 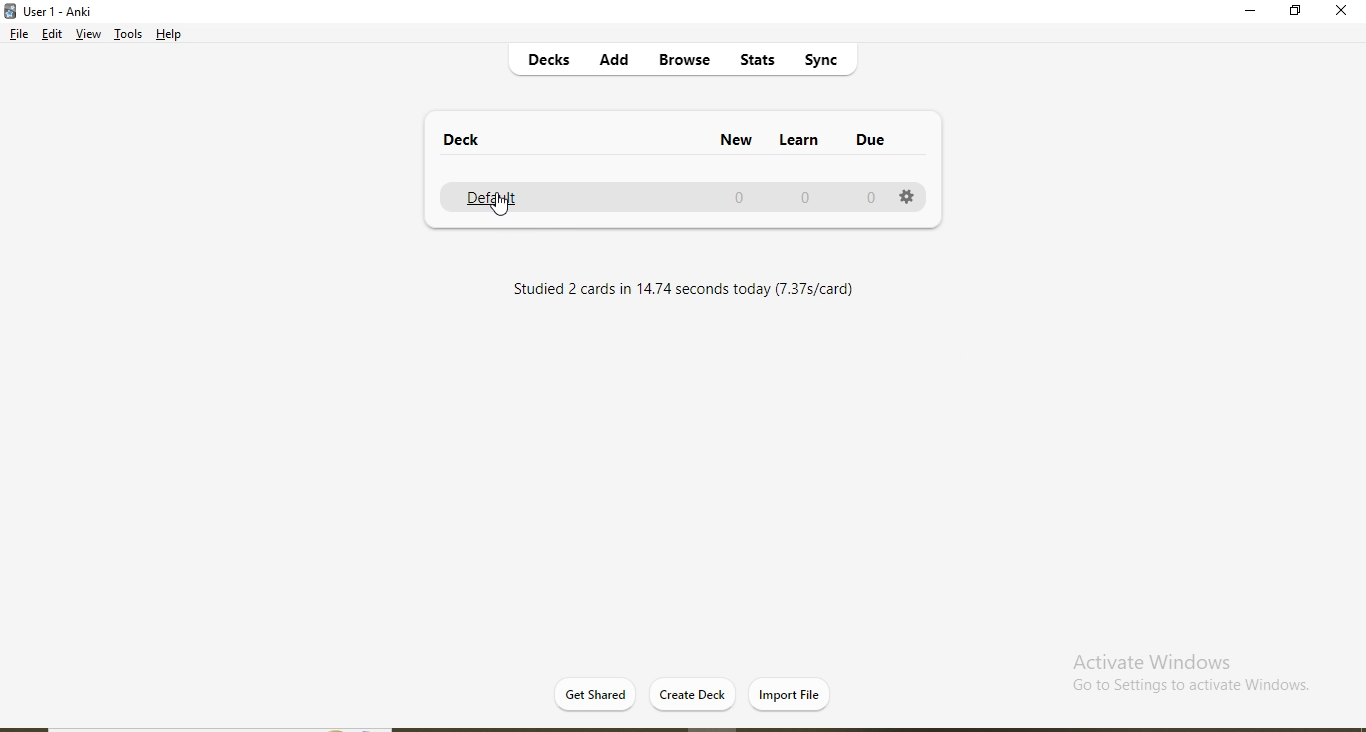 What do you see at coordinates (1295, 13) in the screenshot?
I see `restore` at bounding box center [1295, 13].